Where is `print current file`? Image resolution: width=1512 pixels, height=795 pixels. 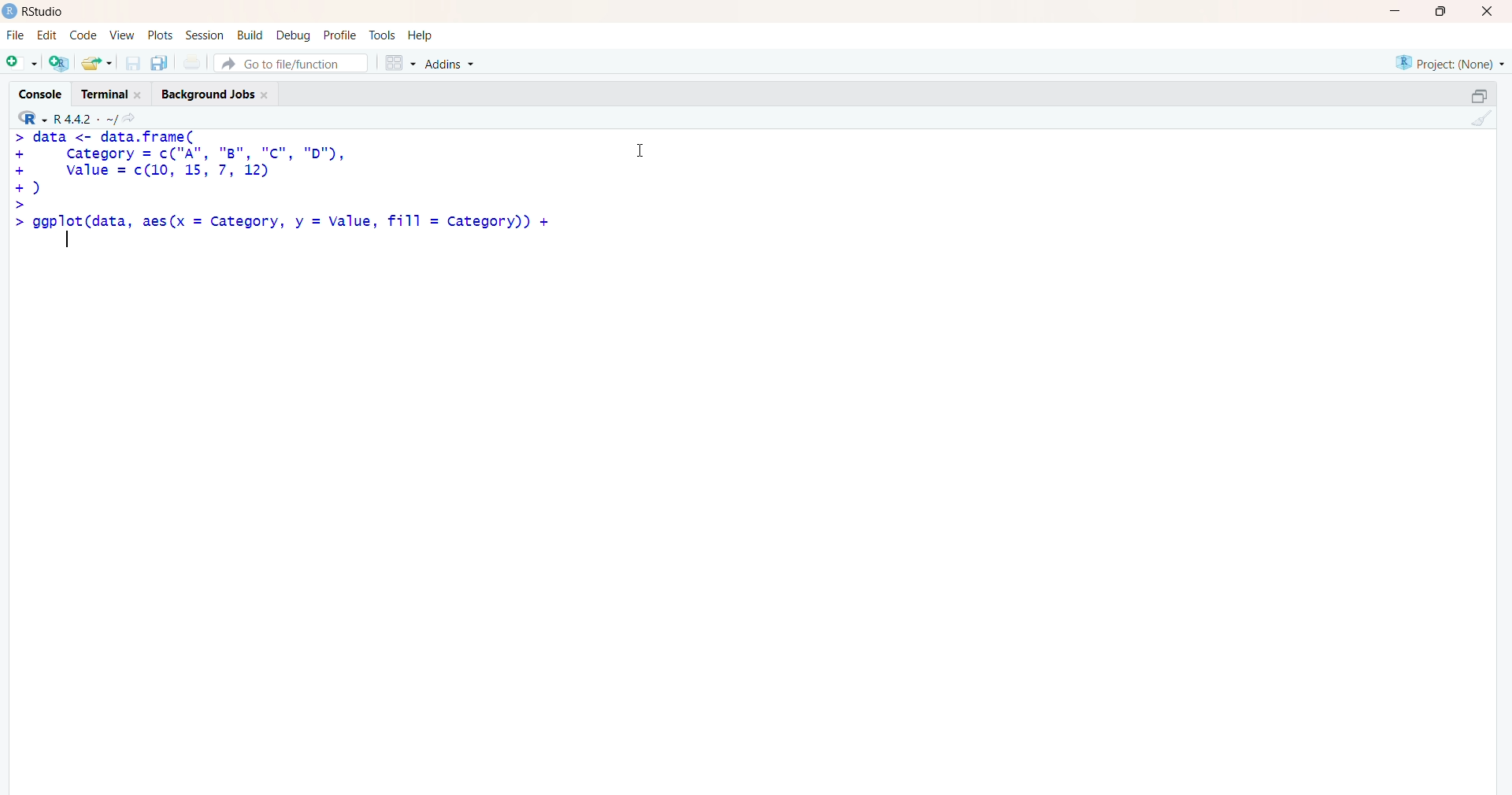 print current file is located at coordinates (190, 62).